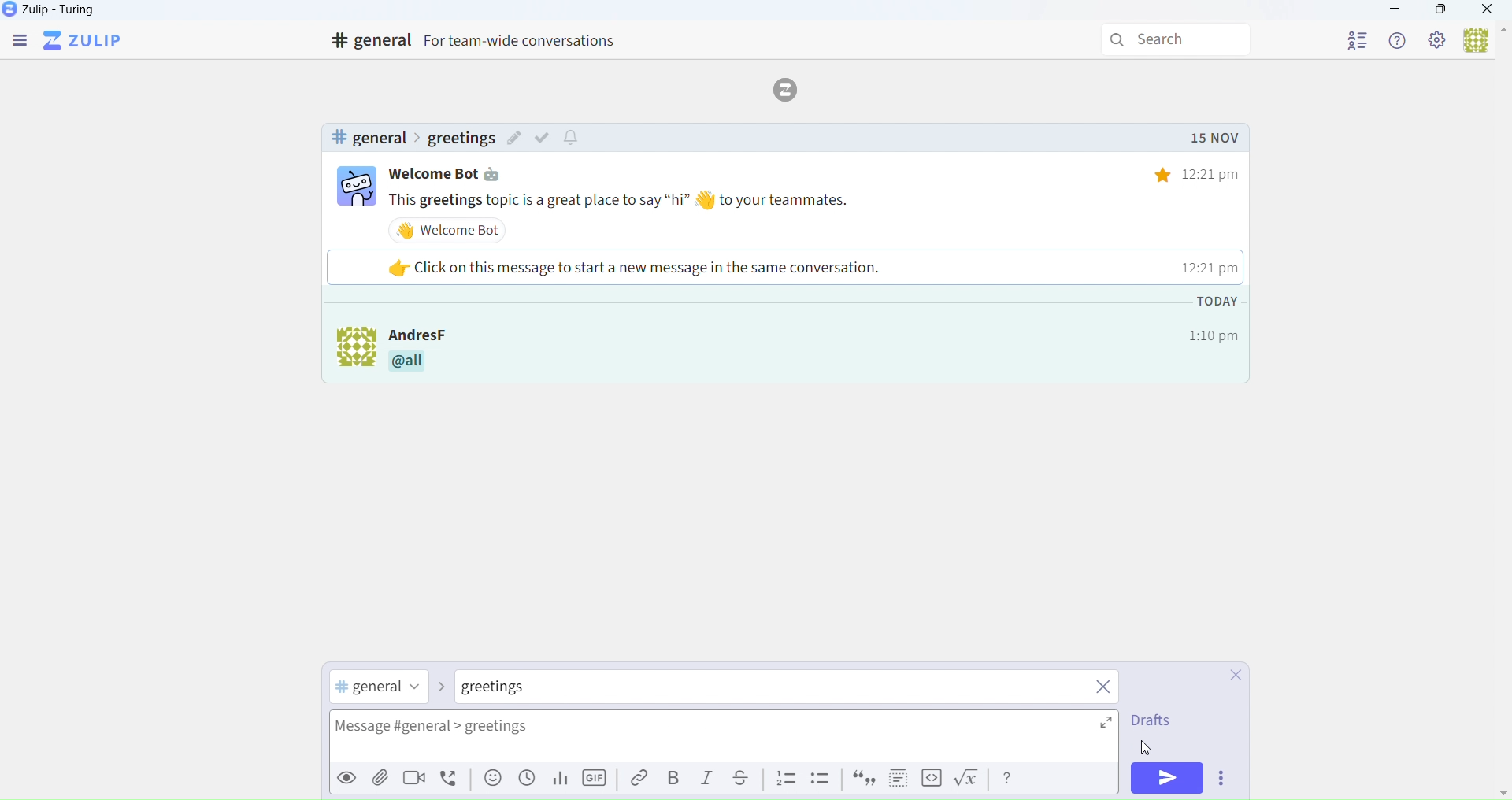  What do you see at coordinates (930, 779) in the screenshot?
I see `Code` at bounding box center [930, 779].